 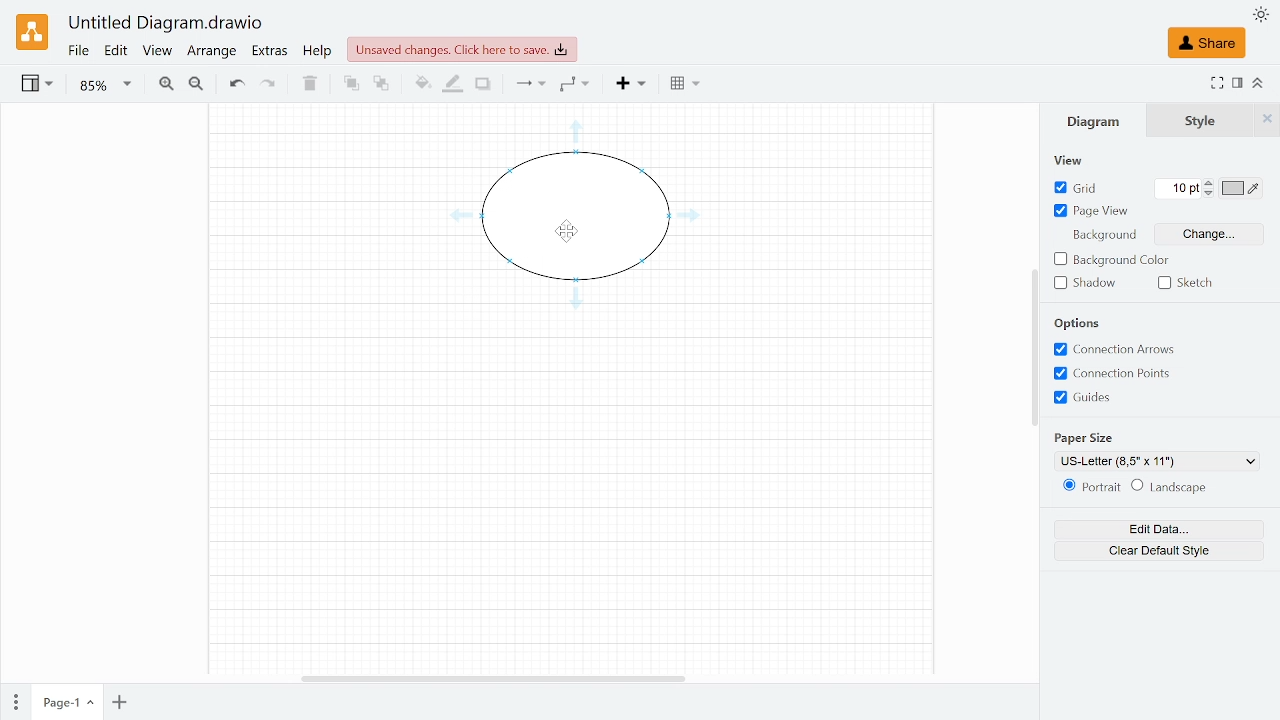 I want to click on Background color, so click(x=1111, y=259).